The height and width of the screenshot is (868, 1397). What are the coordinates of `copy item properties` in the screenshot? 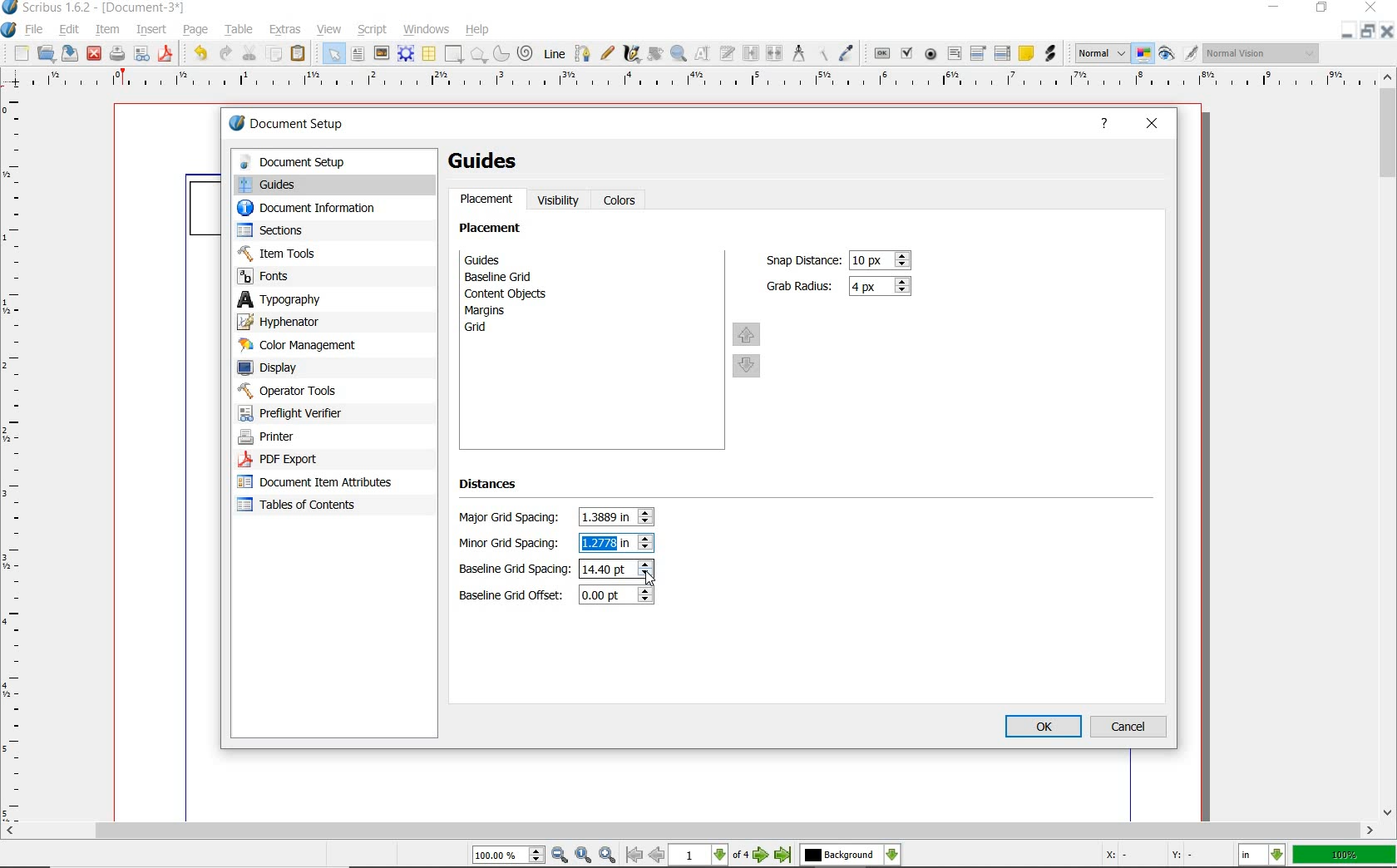 It's located at (821, 52).